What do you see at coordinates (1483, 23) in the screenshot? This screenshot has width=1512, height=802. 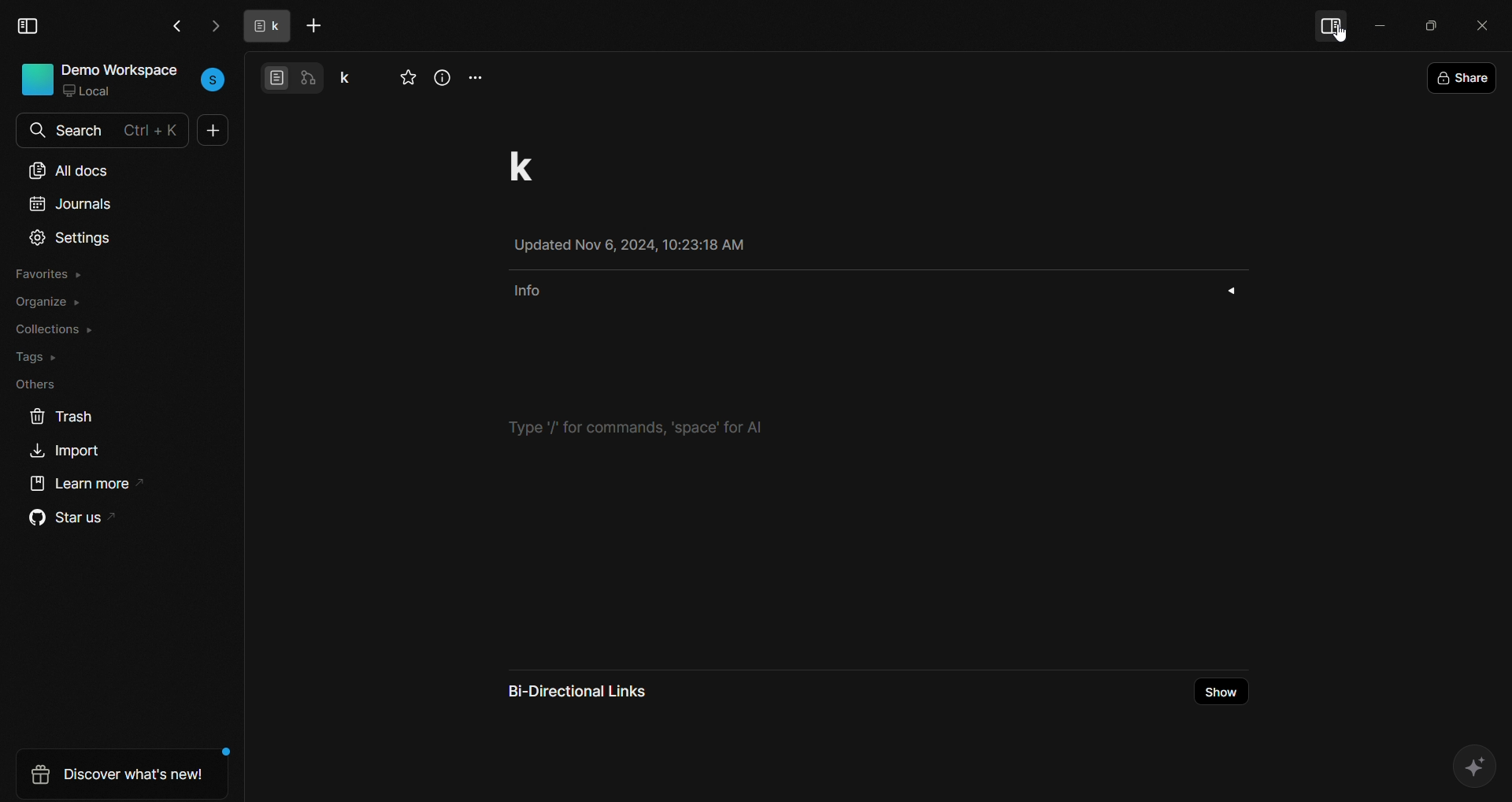 I see `close` at bounding box center [1483, 23].